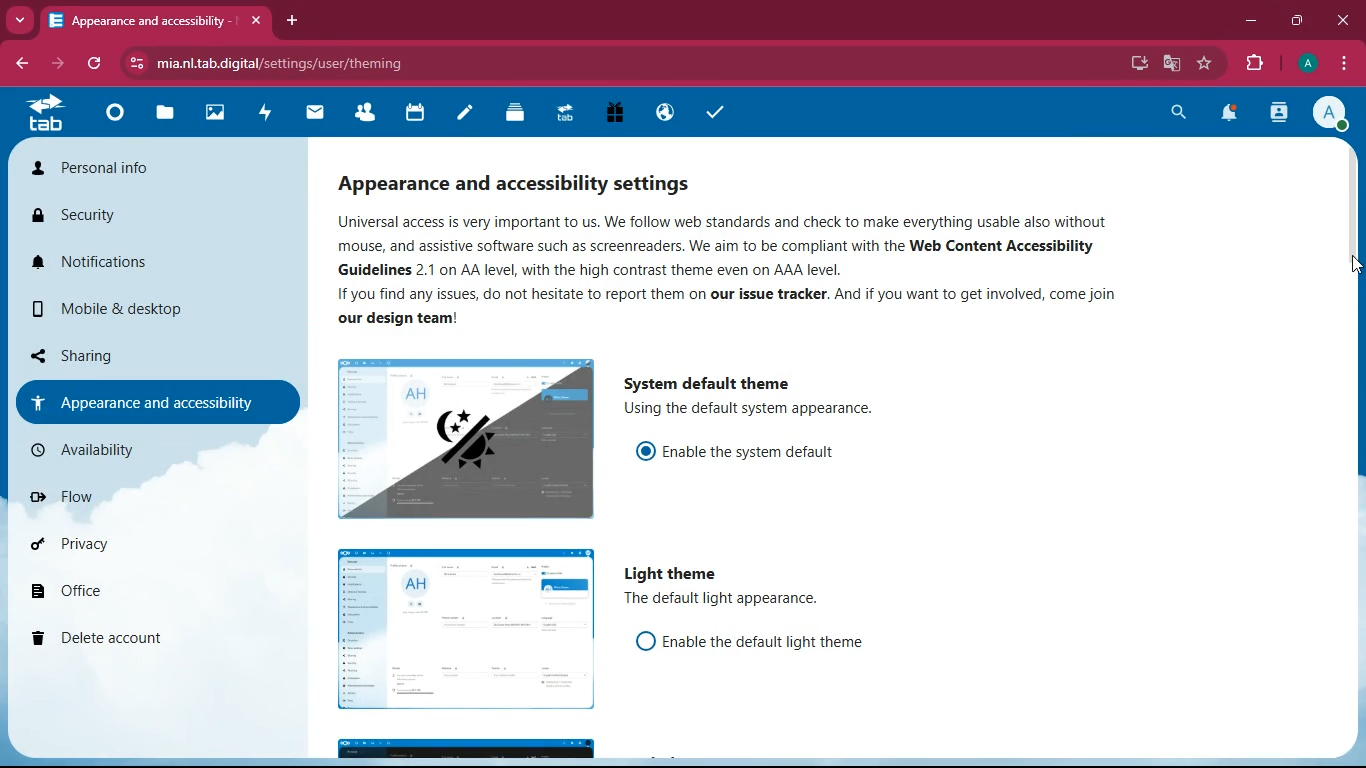 This screenshot has height=768, width=1366. I want to click on office, so click(126, 595).